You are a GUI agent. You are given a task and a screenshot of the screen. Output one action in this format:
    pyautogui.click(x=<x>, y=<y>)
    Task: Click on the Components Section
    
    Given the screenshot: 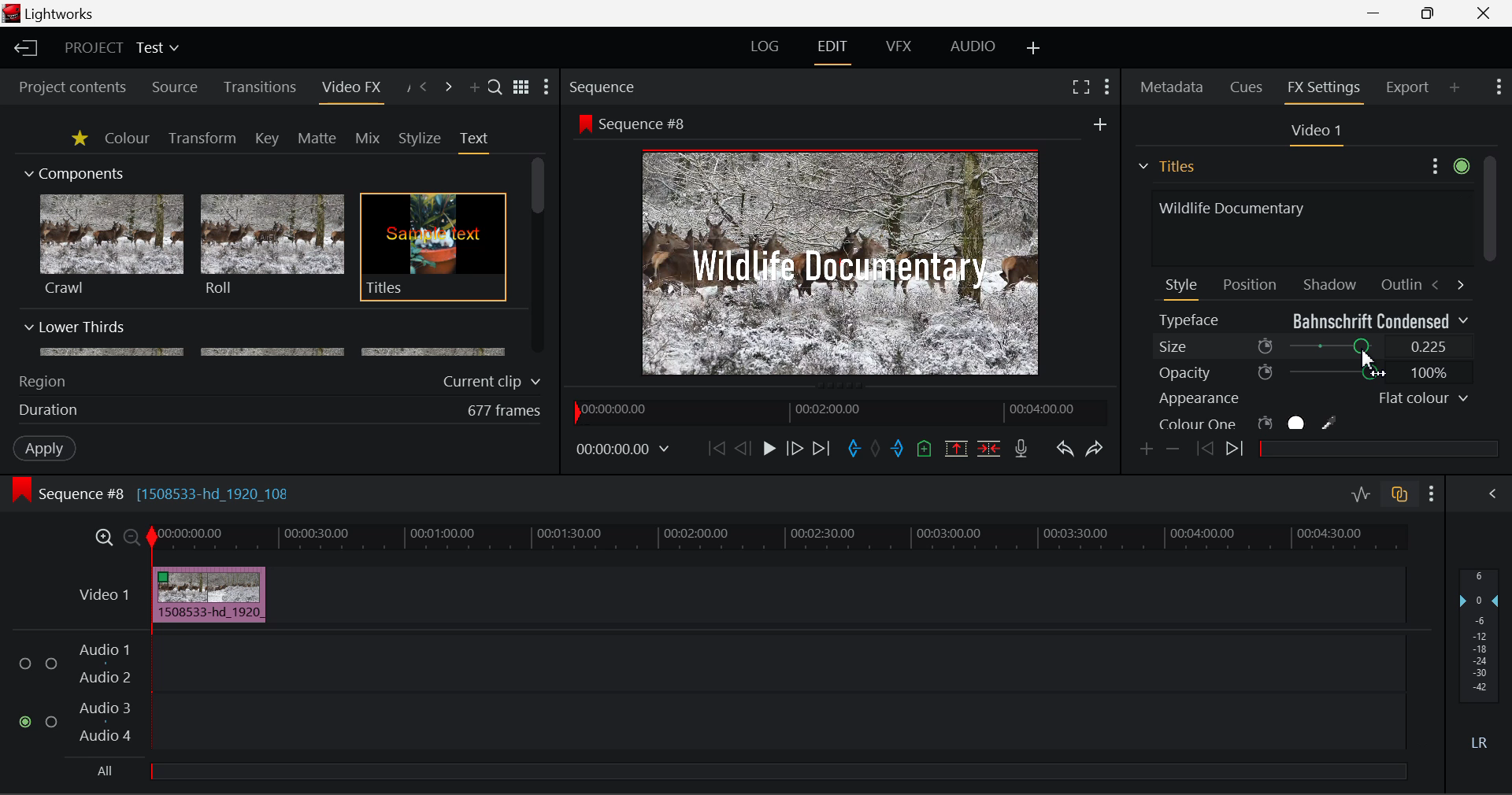 What is the action you would take?
    pyautogui.click(x=72, y=170)
    